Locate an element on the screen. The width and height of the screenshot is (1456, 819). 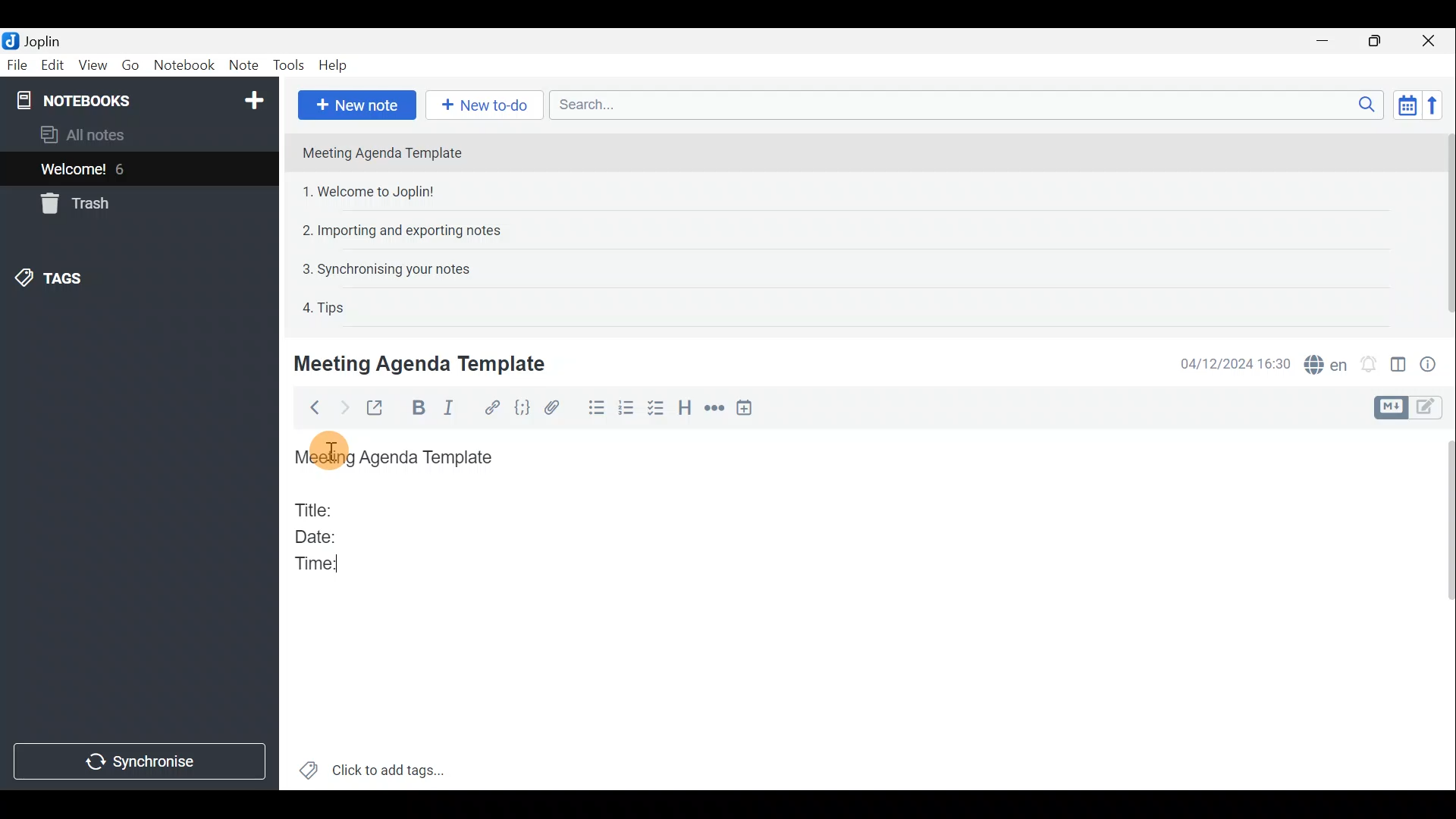
Code is located at coordinates (525, 409).